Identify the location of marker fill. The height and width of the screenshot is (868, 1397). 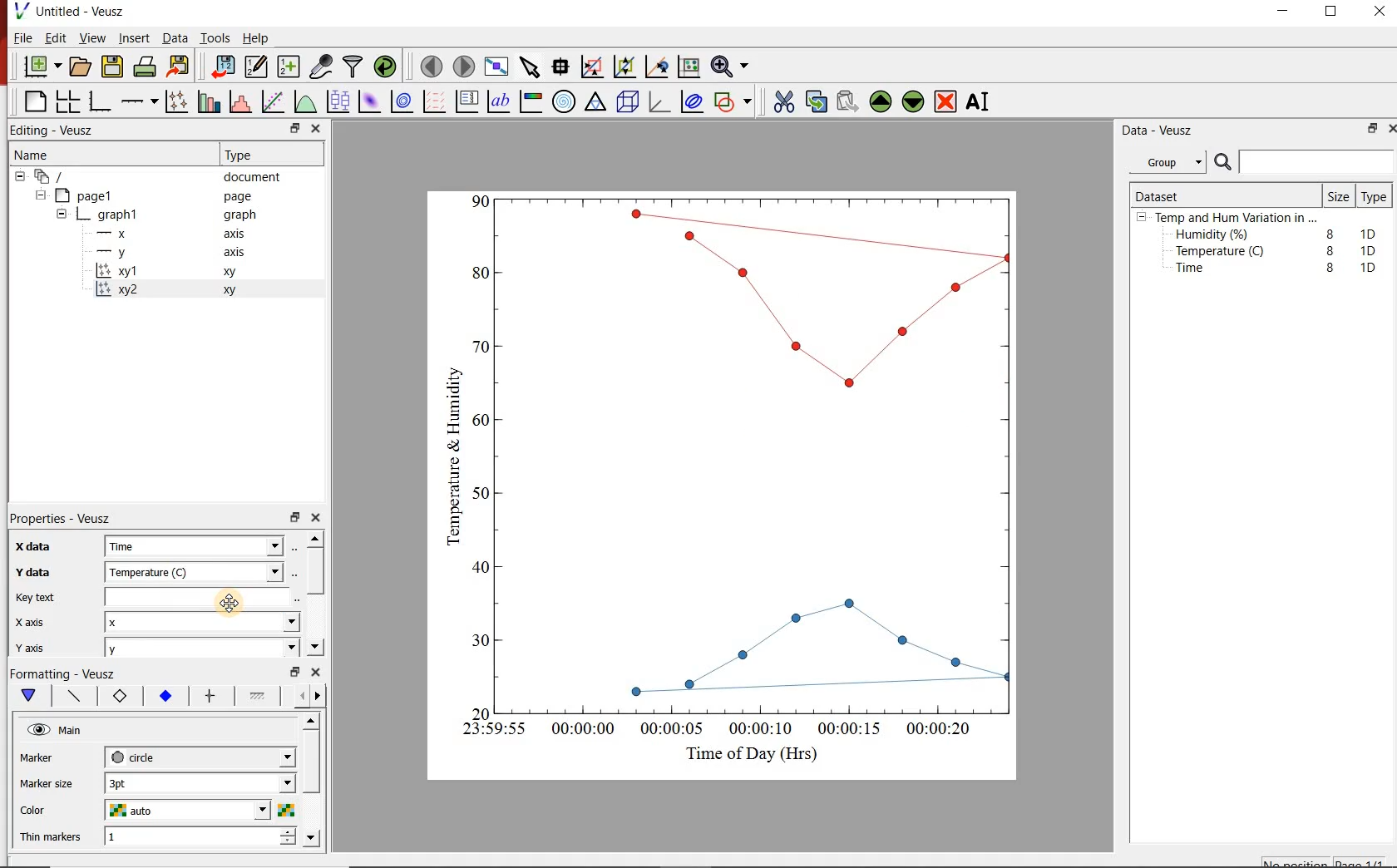
(165, 696).